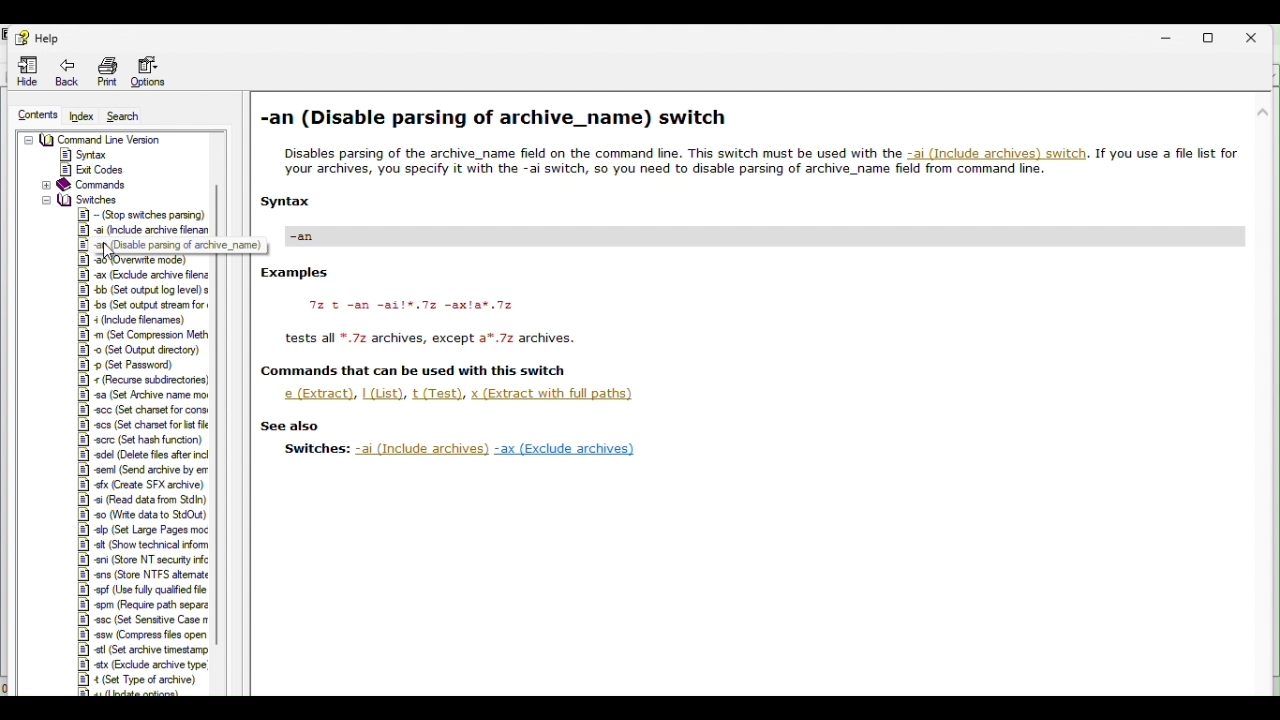 The height and width of the screenshot is (720, 1280). What do you see at coordinates (137, 470) in the screenshot?
I see `|&] semi (Send archive by er` at bounding box center [137, 470].